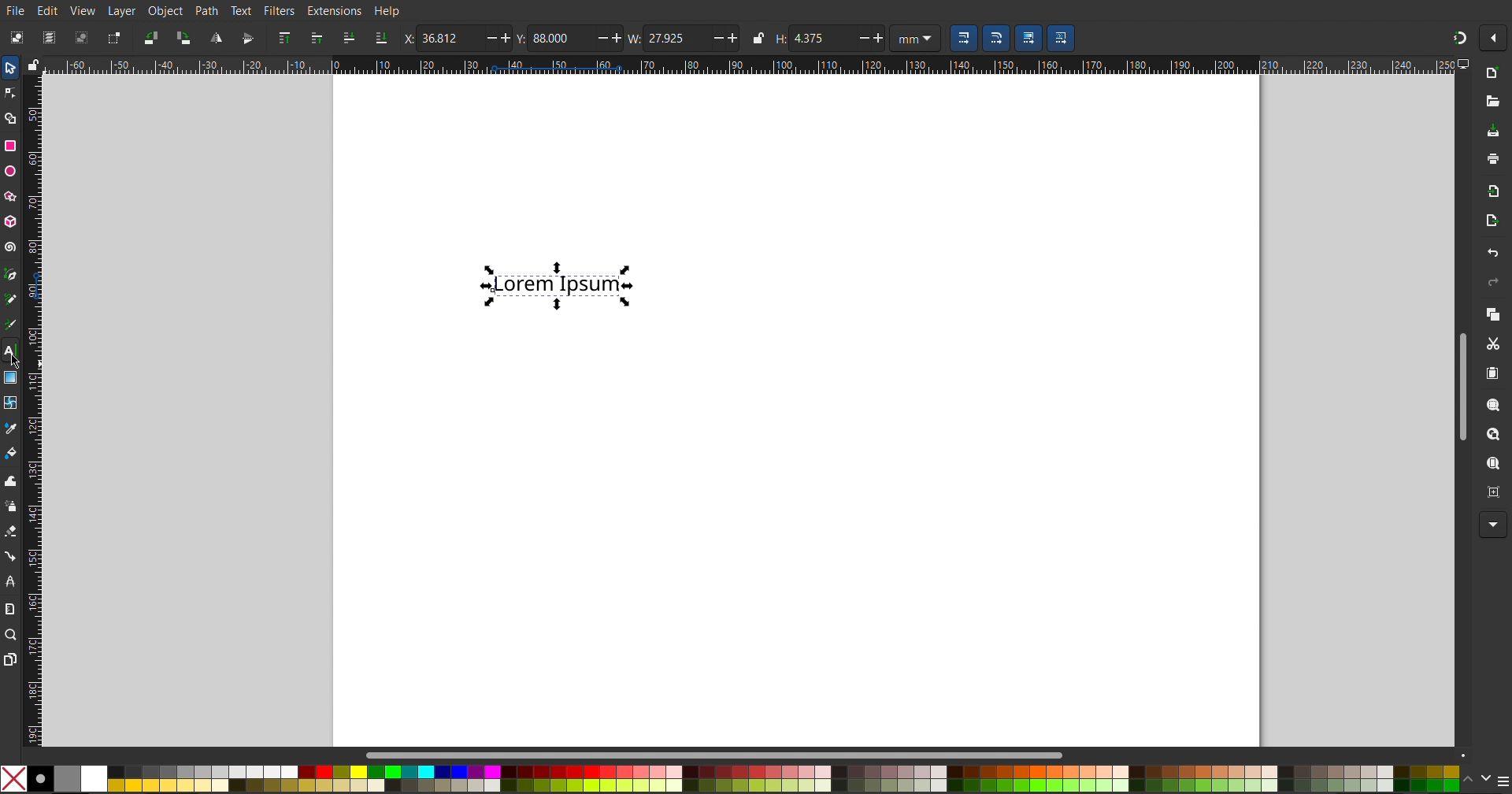  I want to click on File, so click(17, 9).